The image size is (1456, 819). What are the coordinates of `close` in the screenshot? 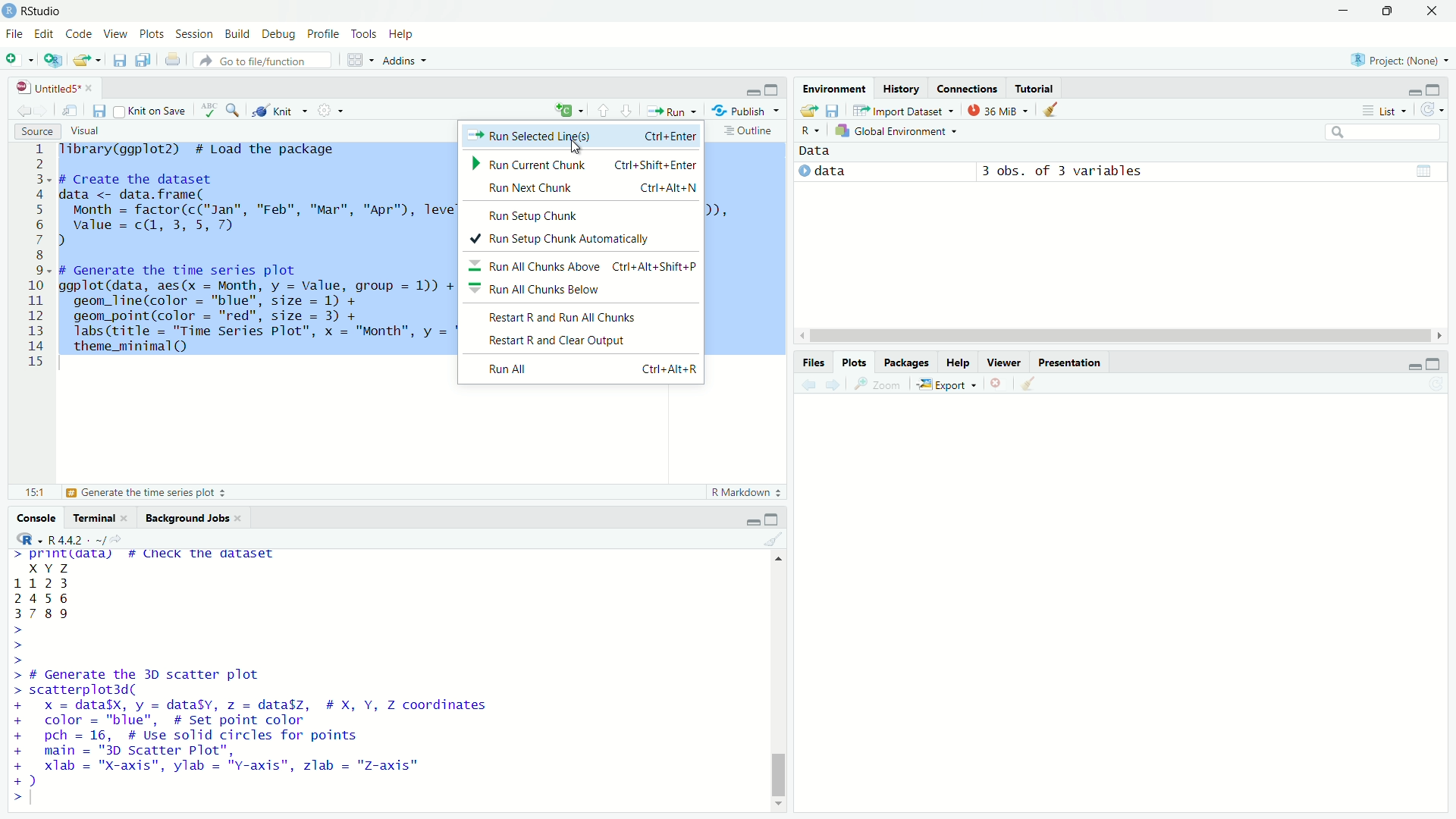 It's located at (241, 516).